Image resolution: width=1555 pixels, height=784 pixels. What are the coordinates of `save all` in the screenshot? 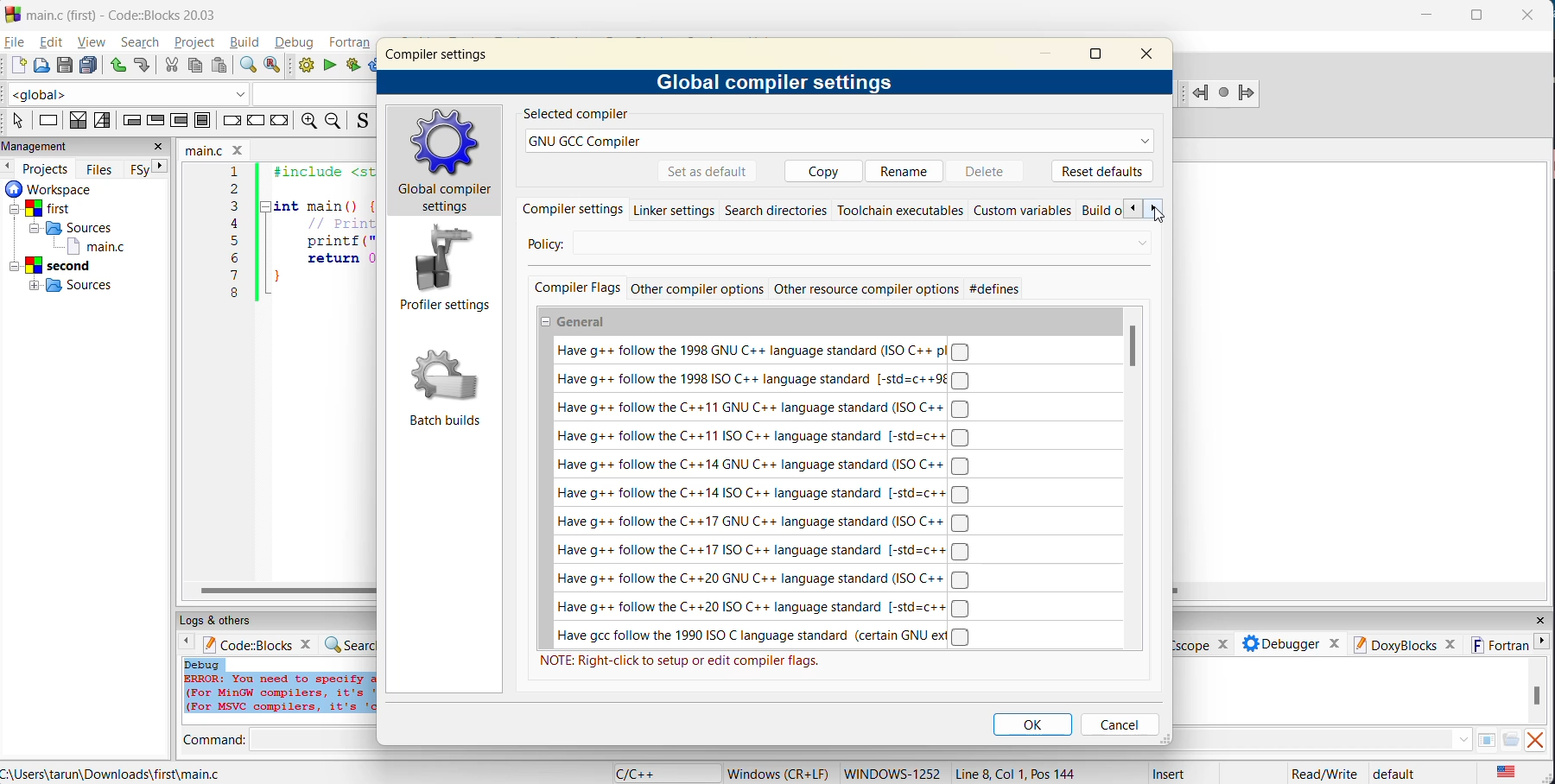 It's located at (90, 66).